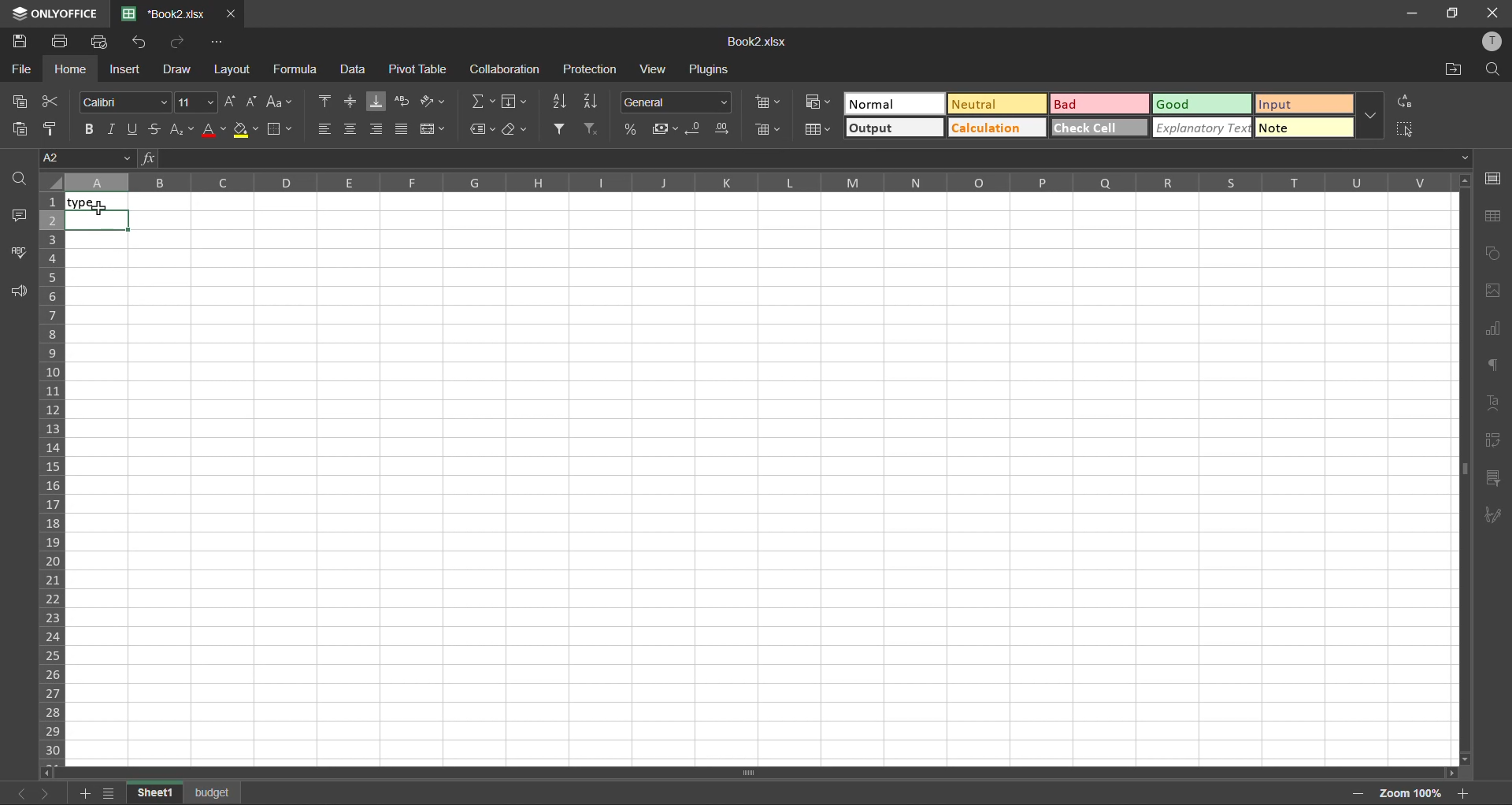 Image resolution: width=1512 pixels, height=805 pixels. What do you see at coordinates (326, 102) in the screenshot?
I see `align top` at bounding box center [326, 102].